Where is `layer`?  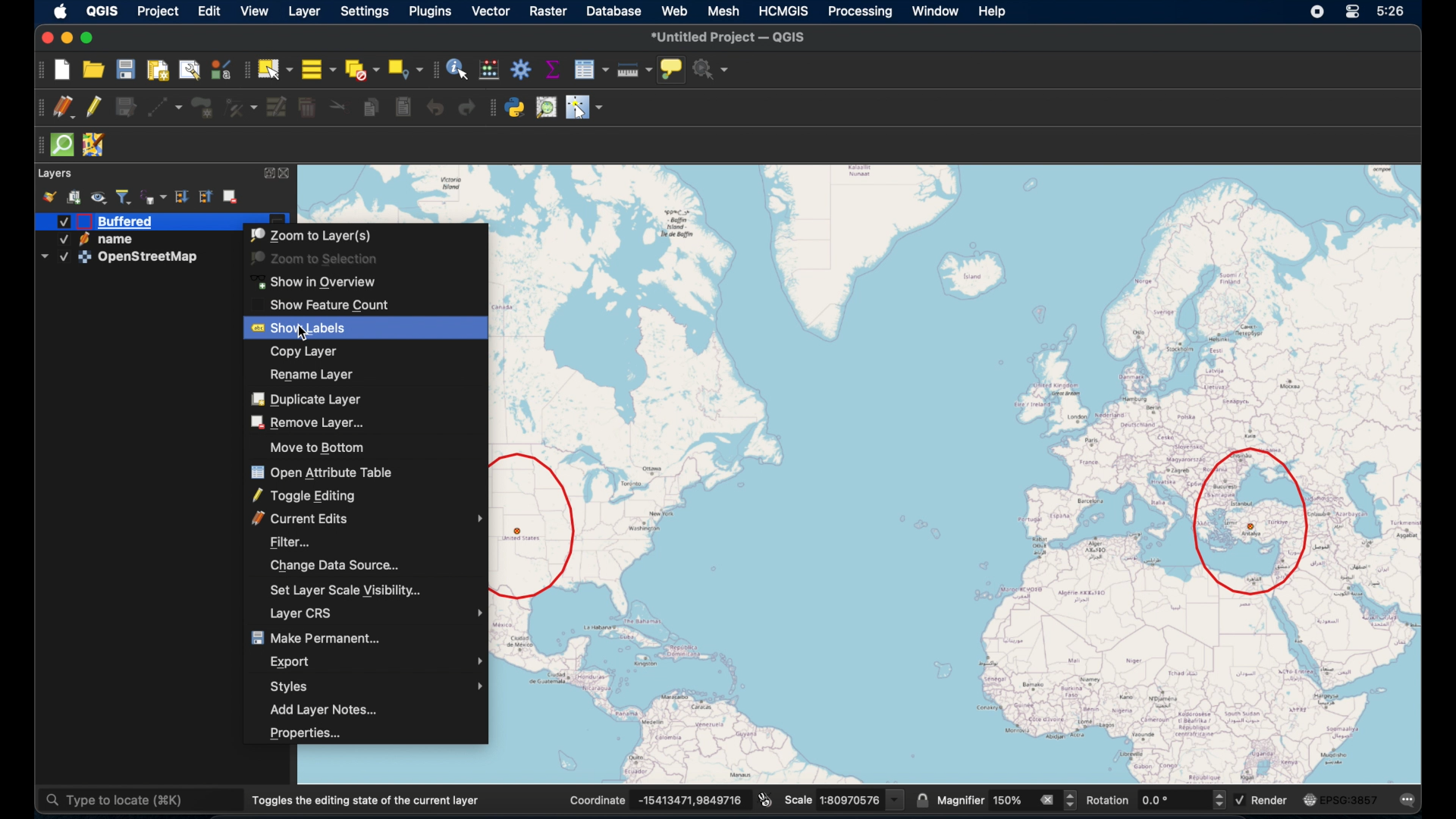 layer is located at coordinates (306, 12).